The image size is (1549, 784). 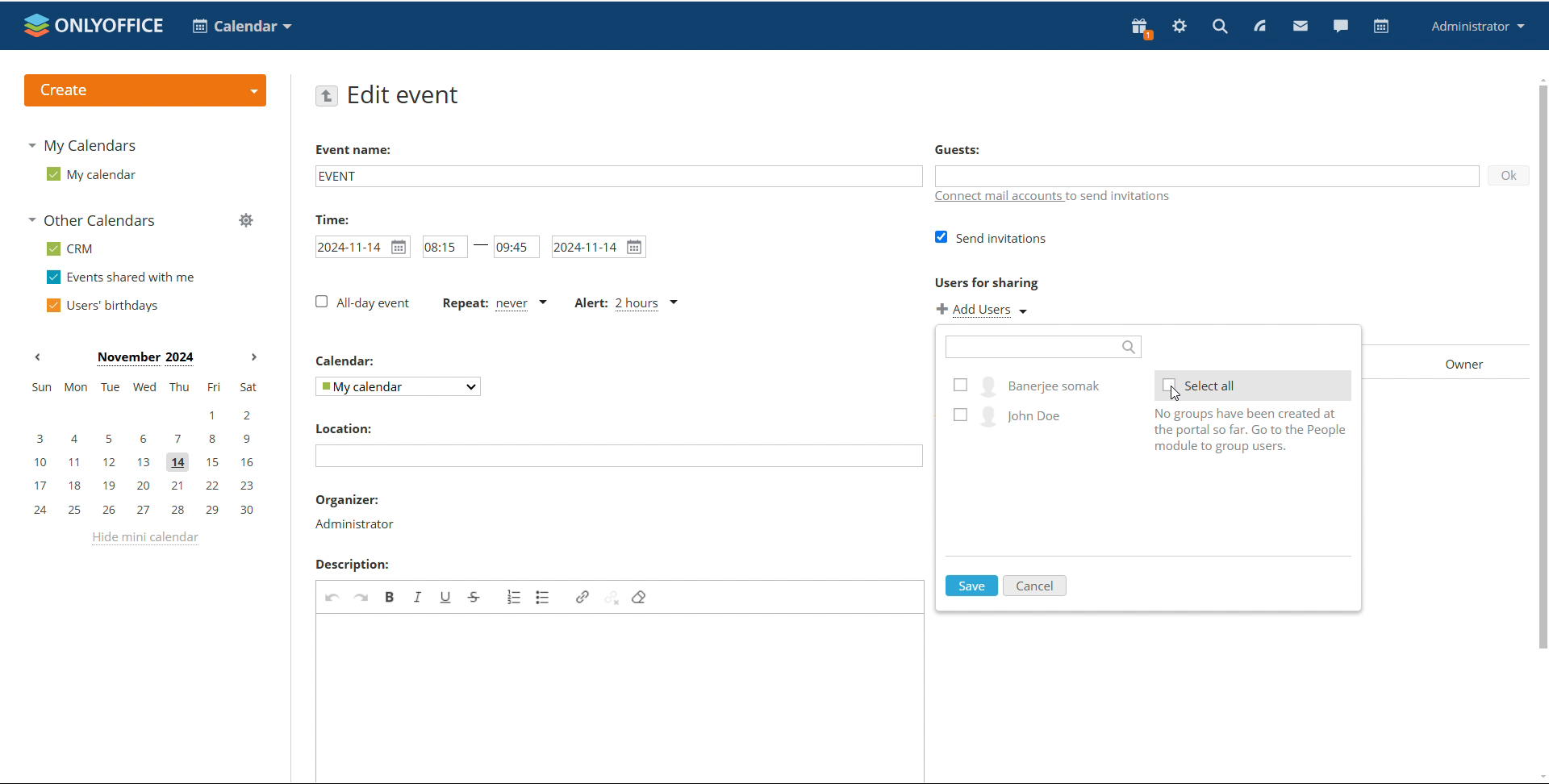 I want to click on other calendars, so click(x=95, y=219).